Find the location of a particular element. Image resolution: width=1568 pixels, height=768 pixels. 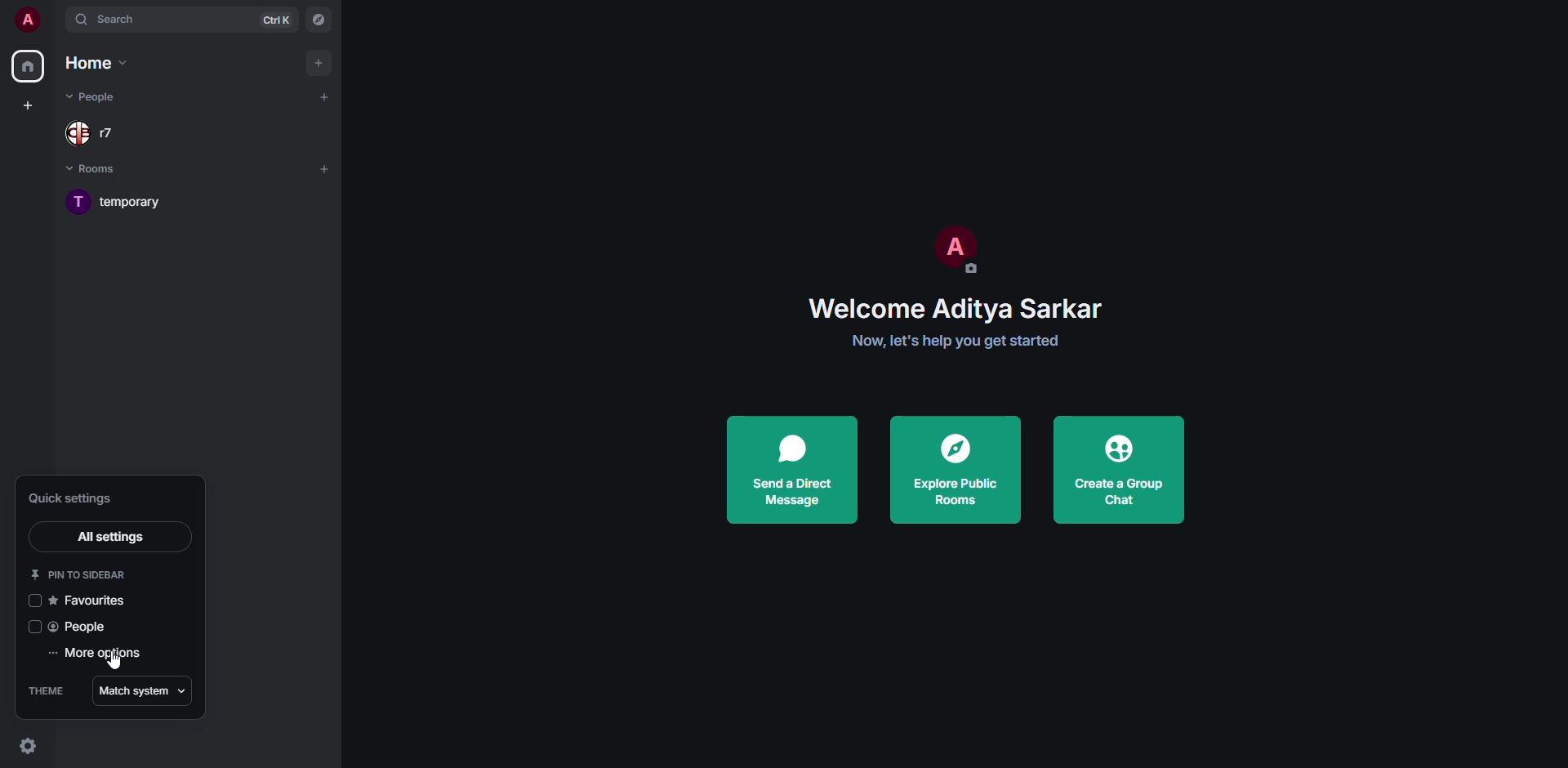

create a group chat is located at coordinates (1120, 470).